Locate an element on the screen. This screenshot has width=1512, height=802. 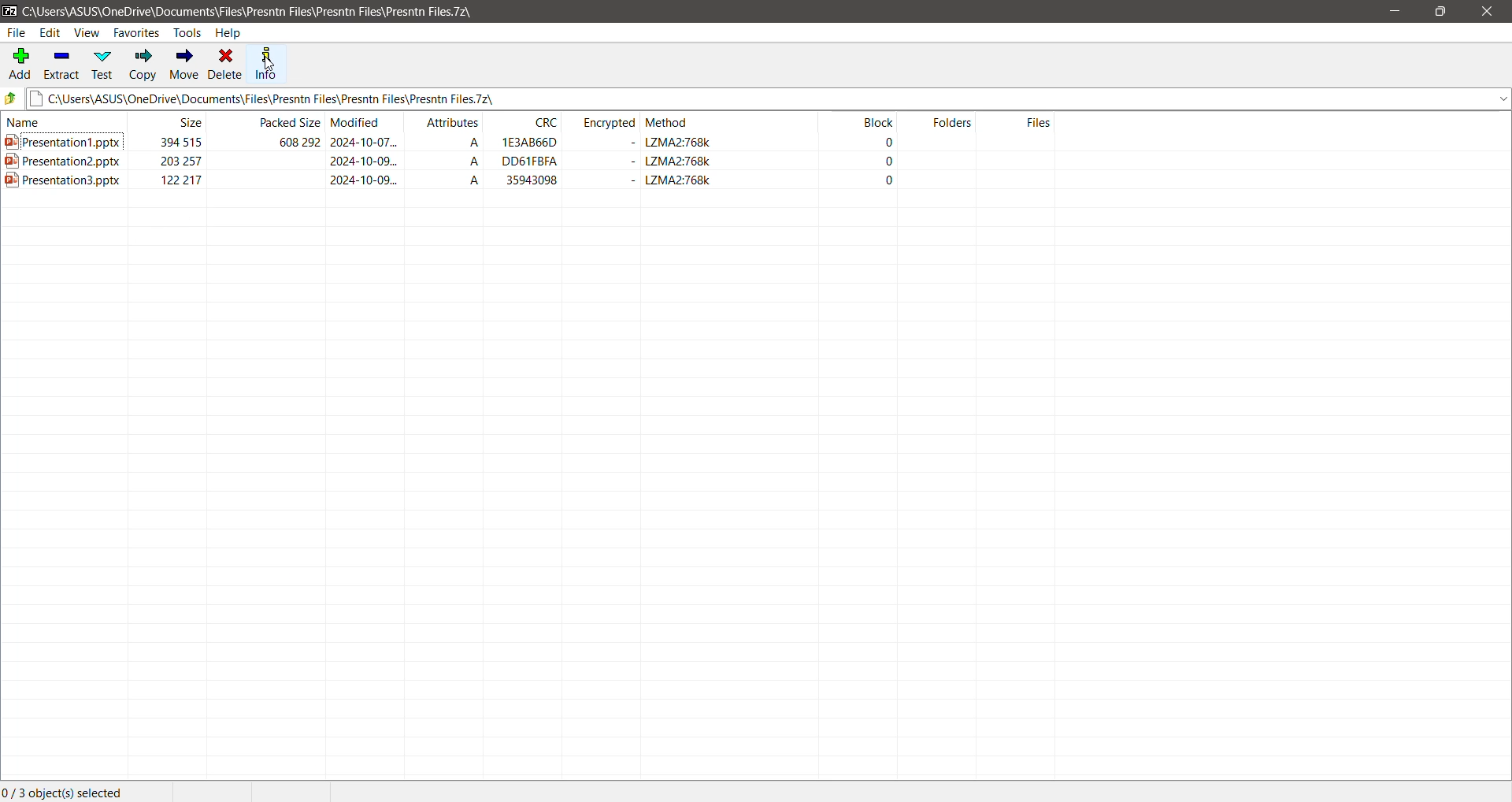
Encrypted is located at coordinates (611, 123).